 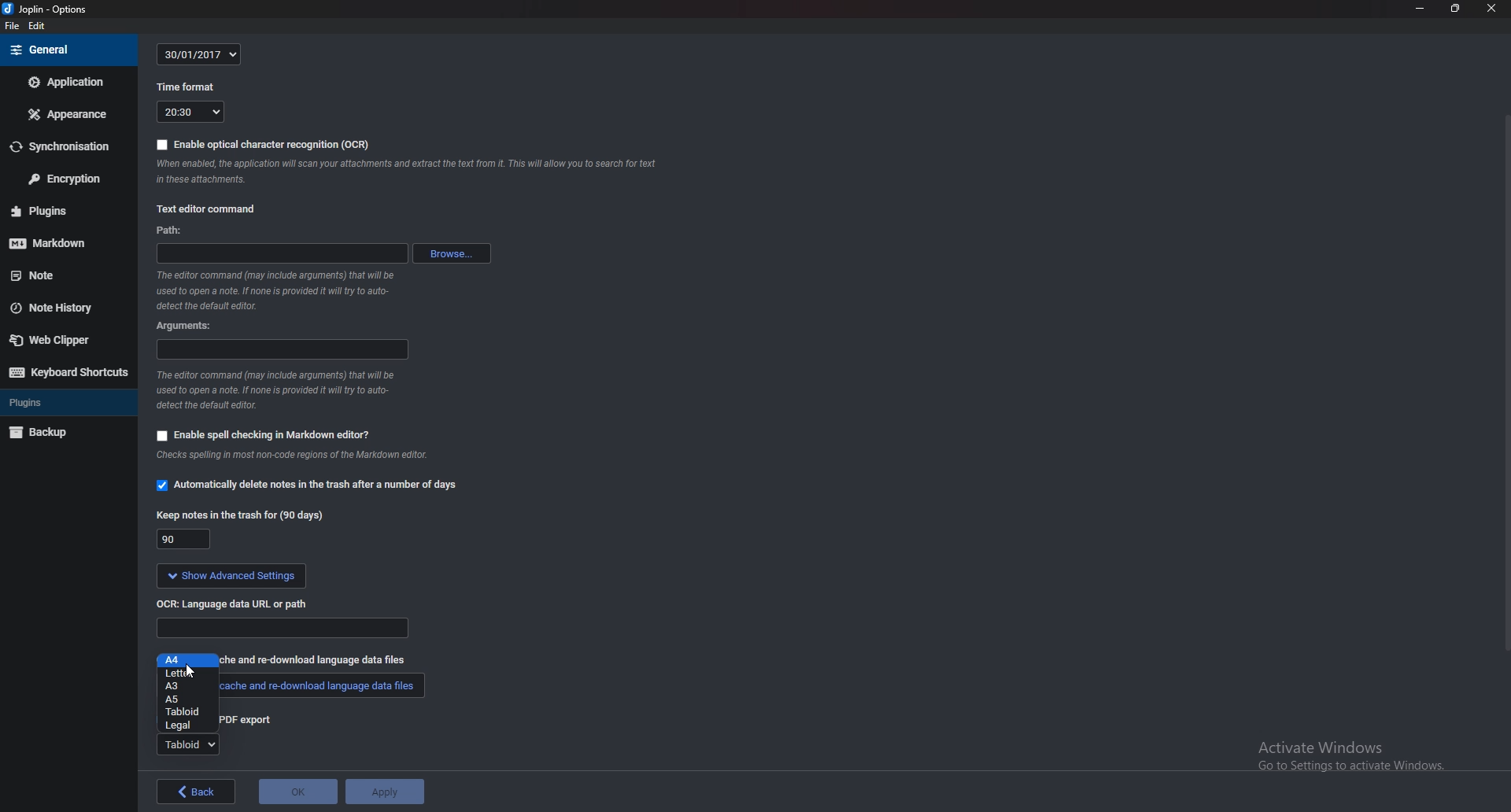 What do you see at coordinates (68, 372) in the screenshot?
I see `Keyboard shortcuts` at bounding box center [68, 372].